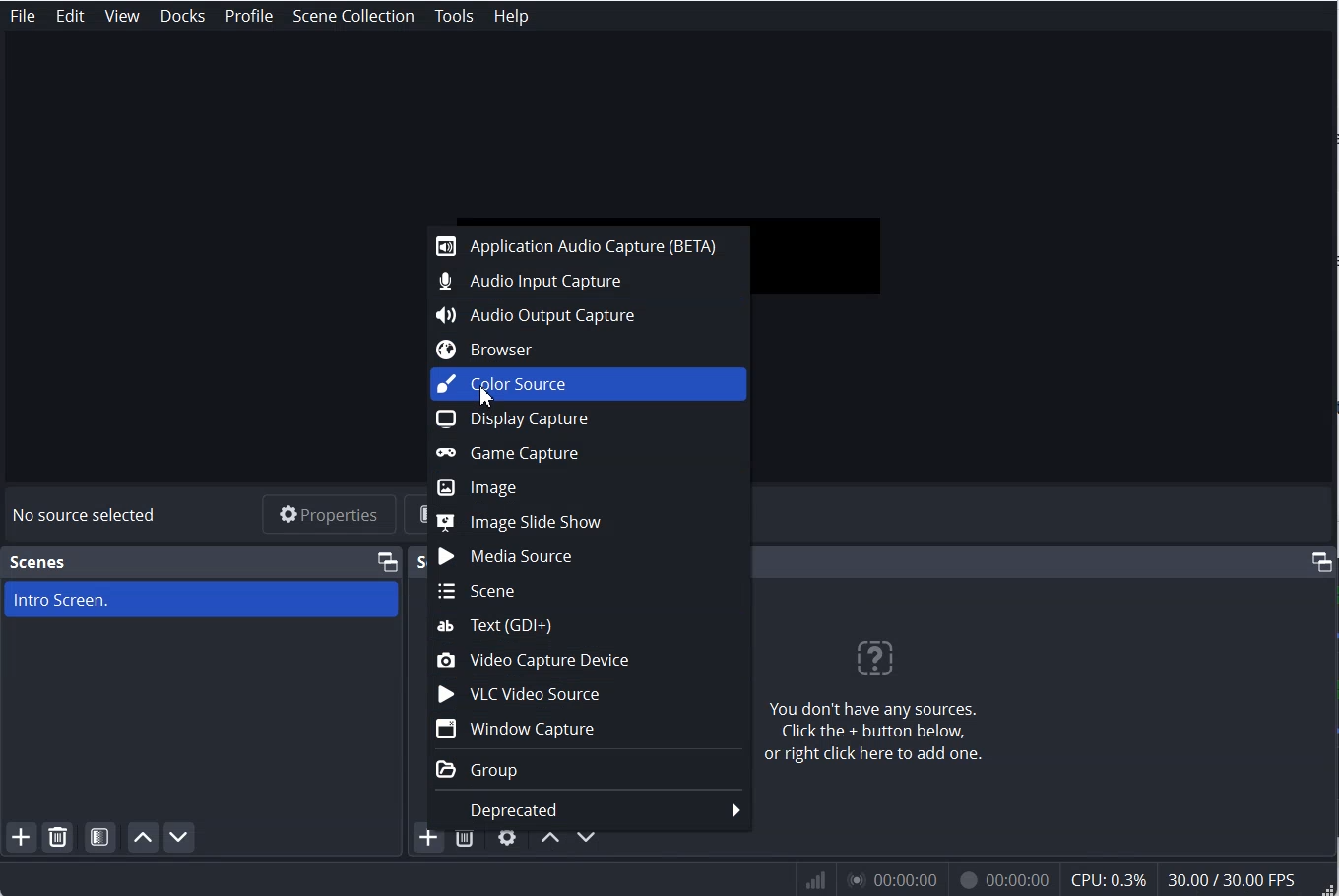  Describe the element at coordinates (873, 703) in the screenshot. I see `You don't have any sources. Click the button below. or right dick here to add one` at that location.